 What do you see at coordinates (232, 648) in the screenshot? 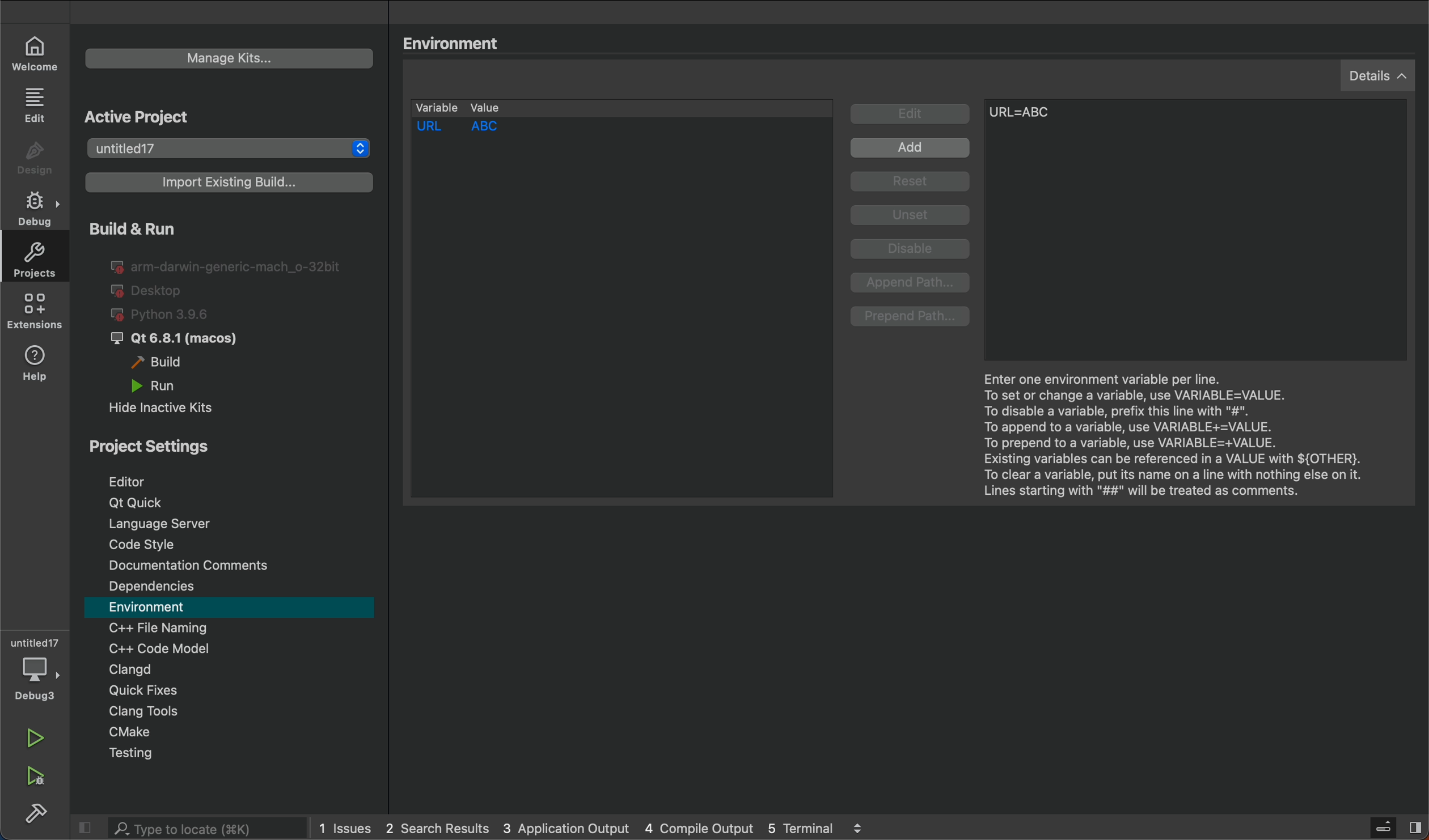
I see `code modal` at bounding box center [232, 648].